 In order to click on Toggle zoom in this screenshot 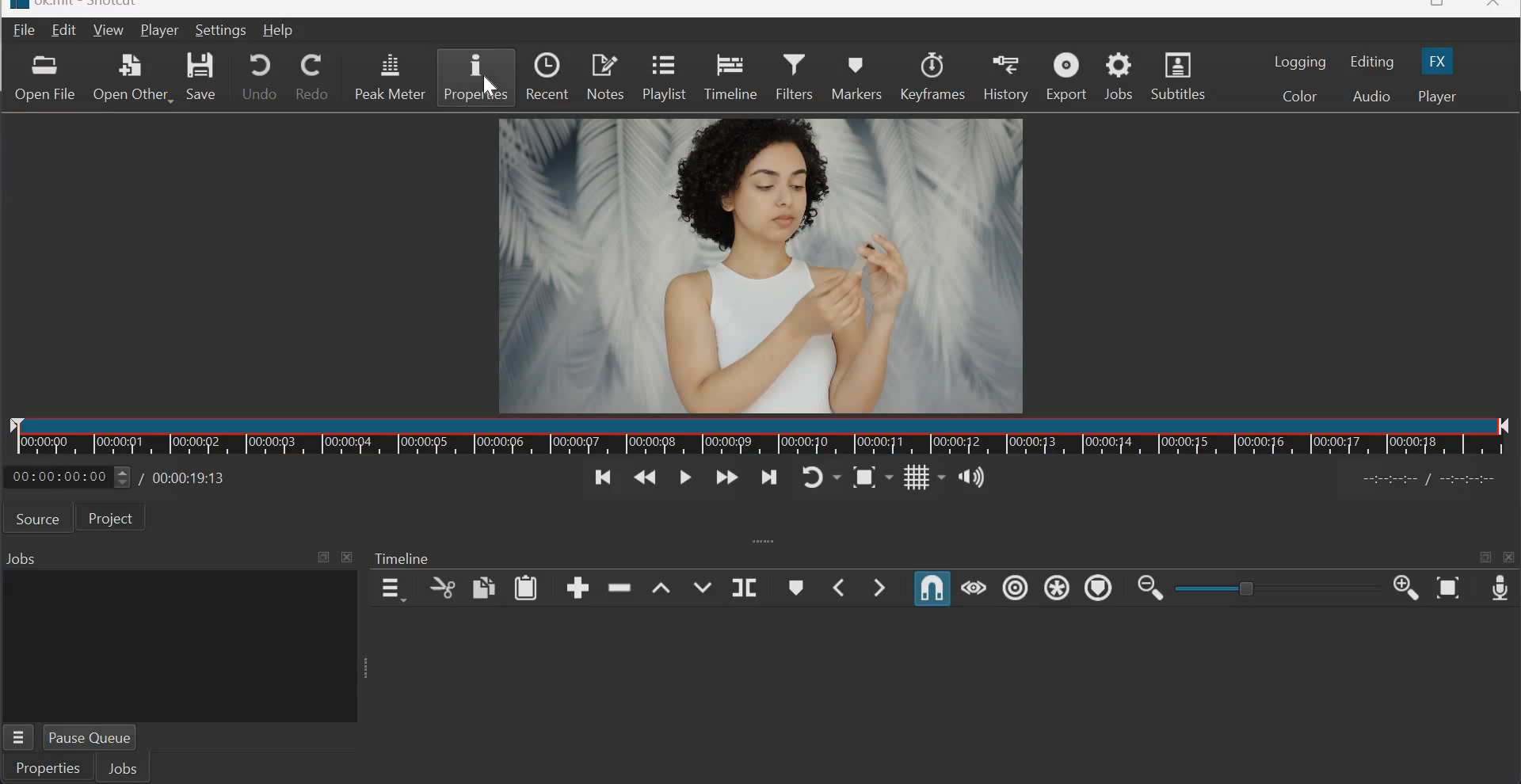, I will do `click(872, 476)`.